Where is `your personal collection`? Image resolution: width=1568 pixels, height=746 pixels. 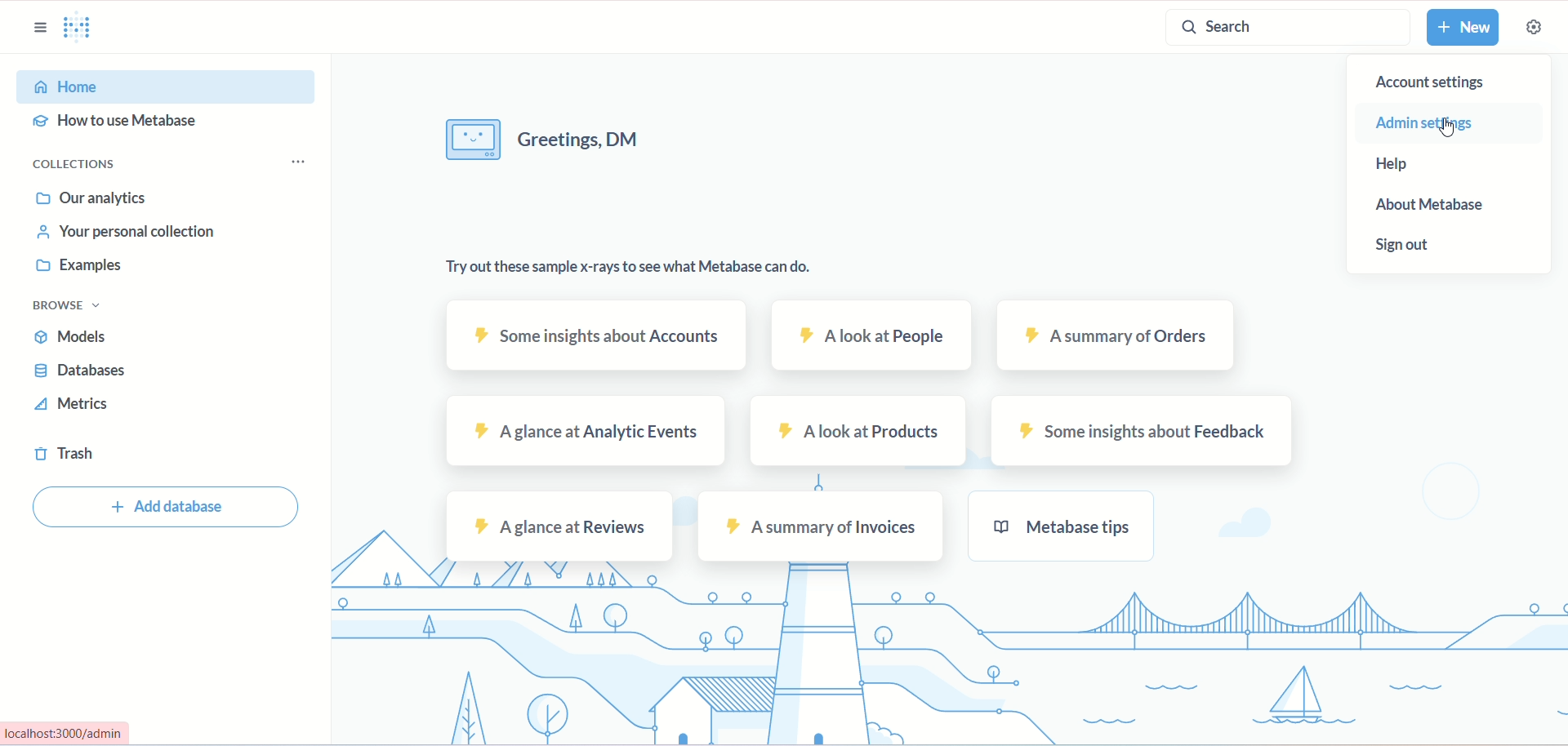 your personal collection is located at coordinates (136, 229).